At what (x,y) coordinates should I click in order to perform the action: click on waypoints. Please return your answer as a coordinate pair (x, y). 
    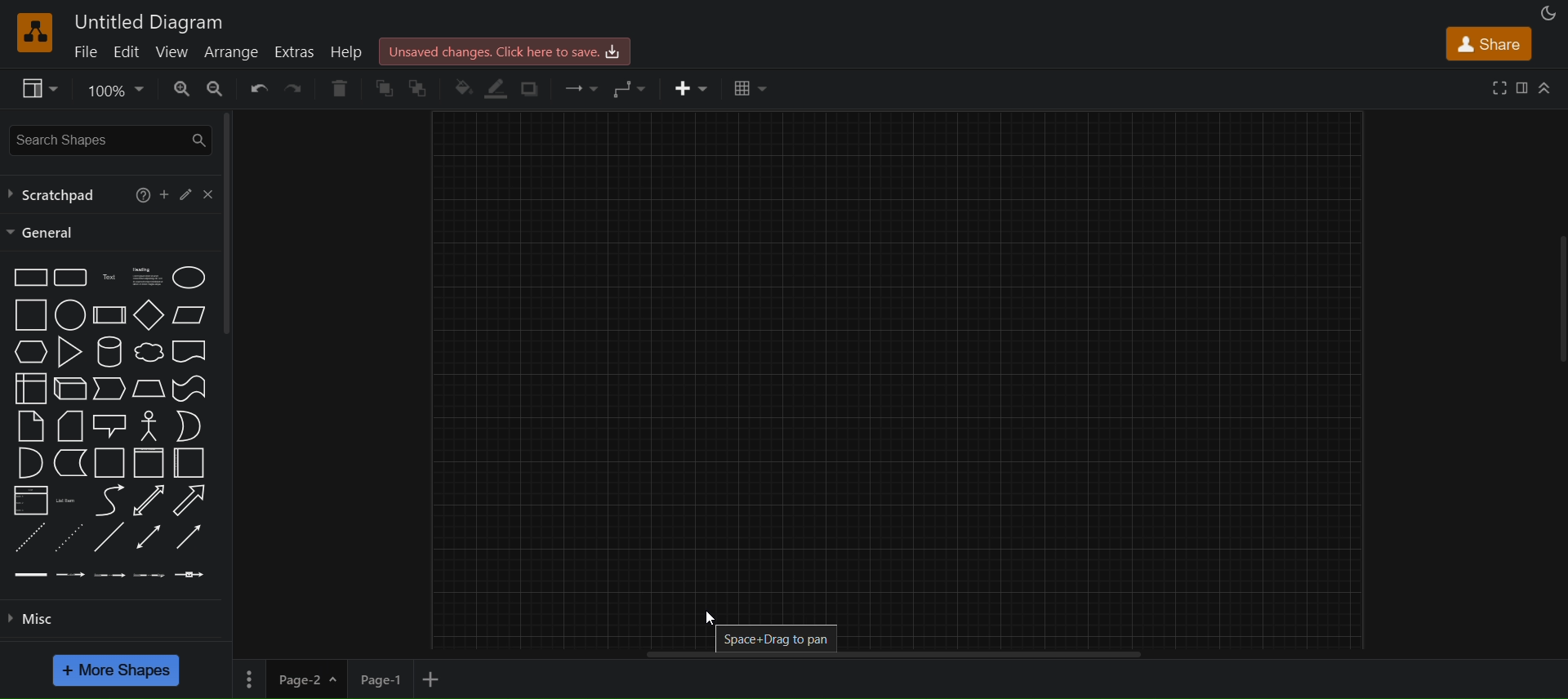
    Looking at the image, I should click on (629, 88).